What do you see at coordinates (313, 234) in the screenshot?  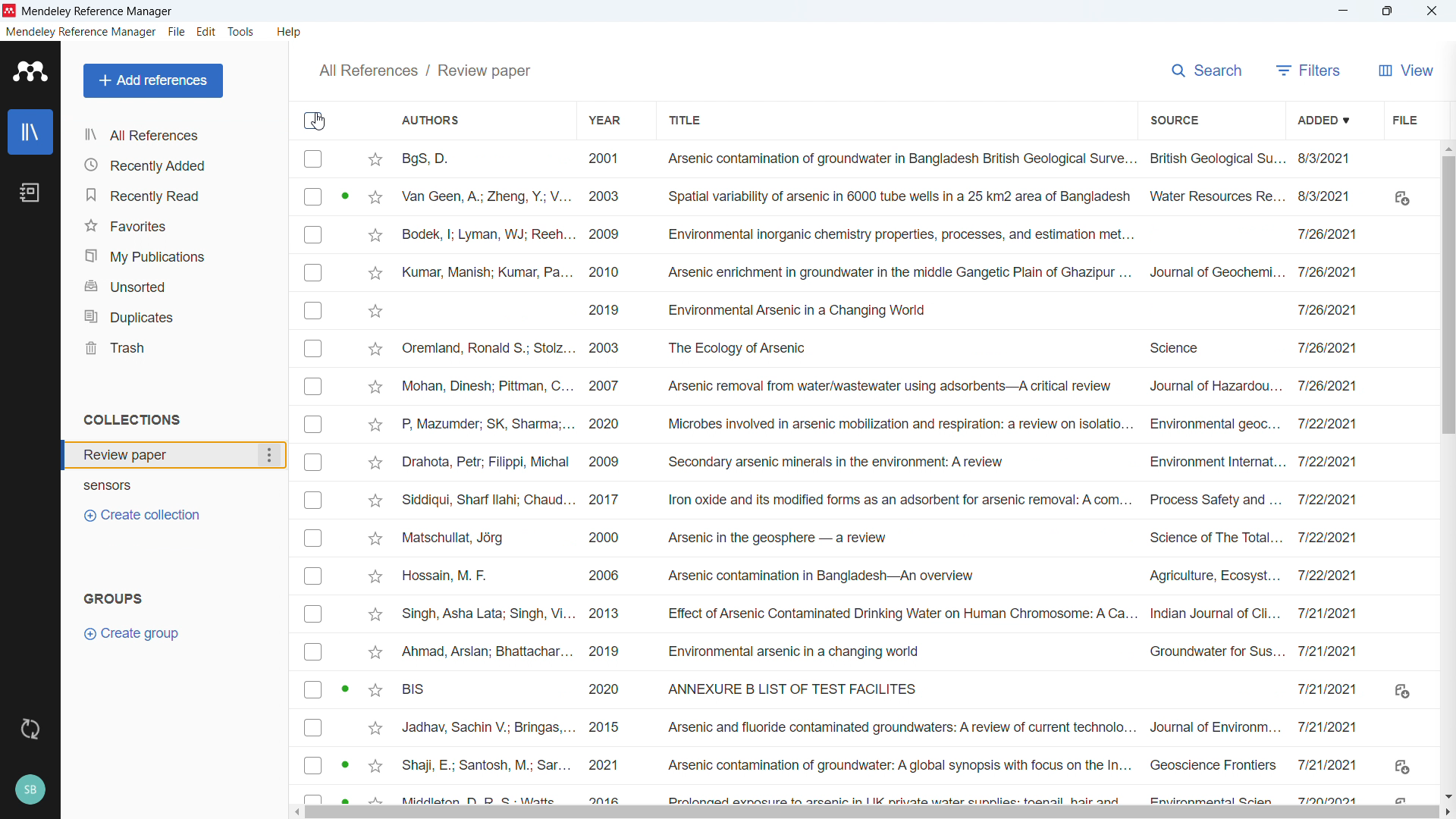 I see `Select respective publication` at bounding box center [313, 234].